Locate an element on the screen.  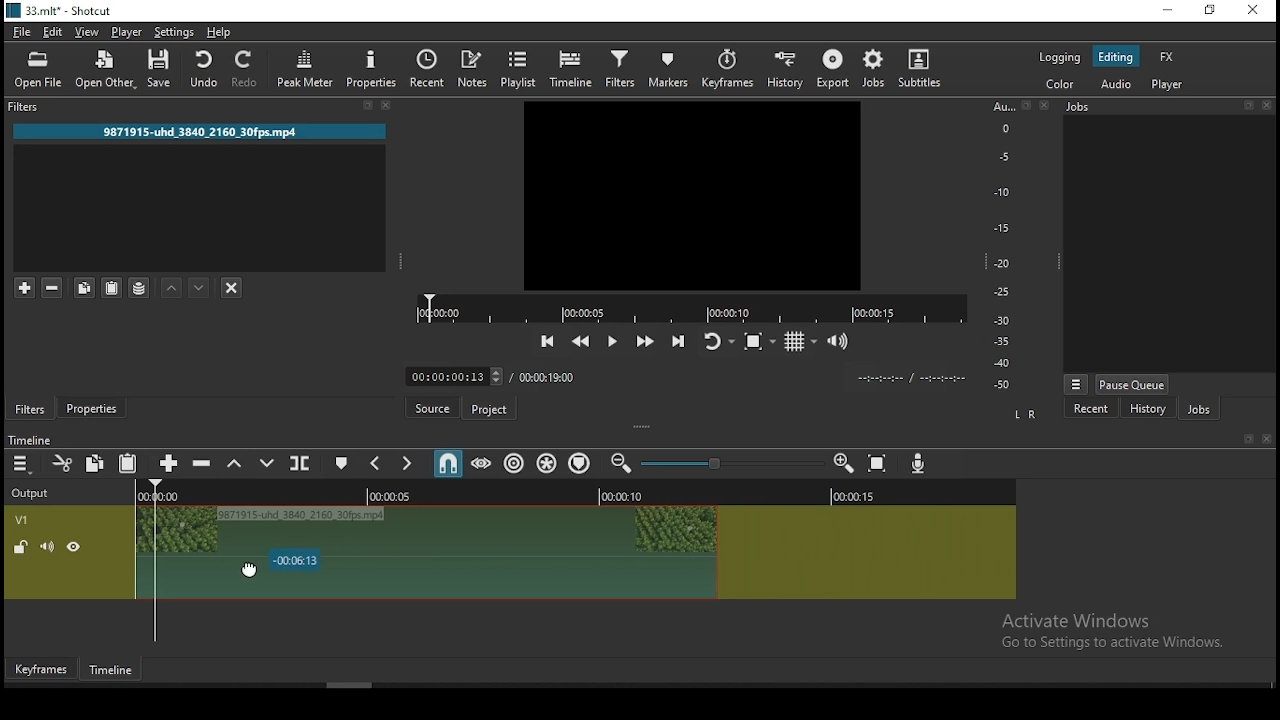
close is located at coordinates (1267, 105).